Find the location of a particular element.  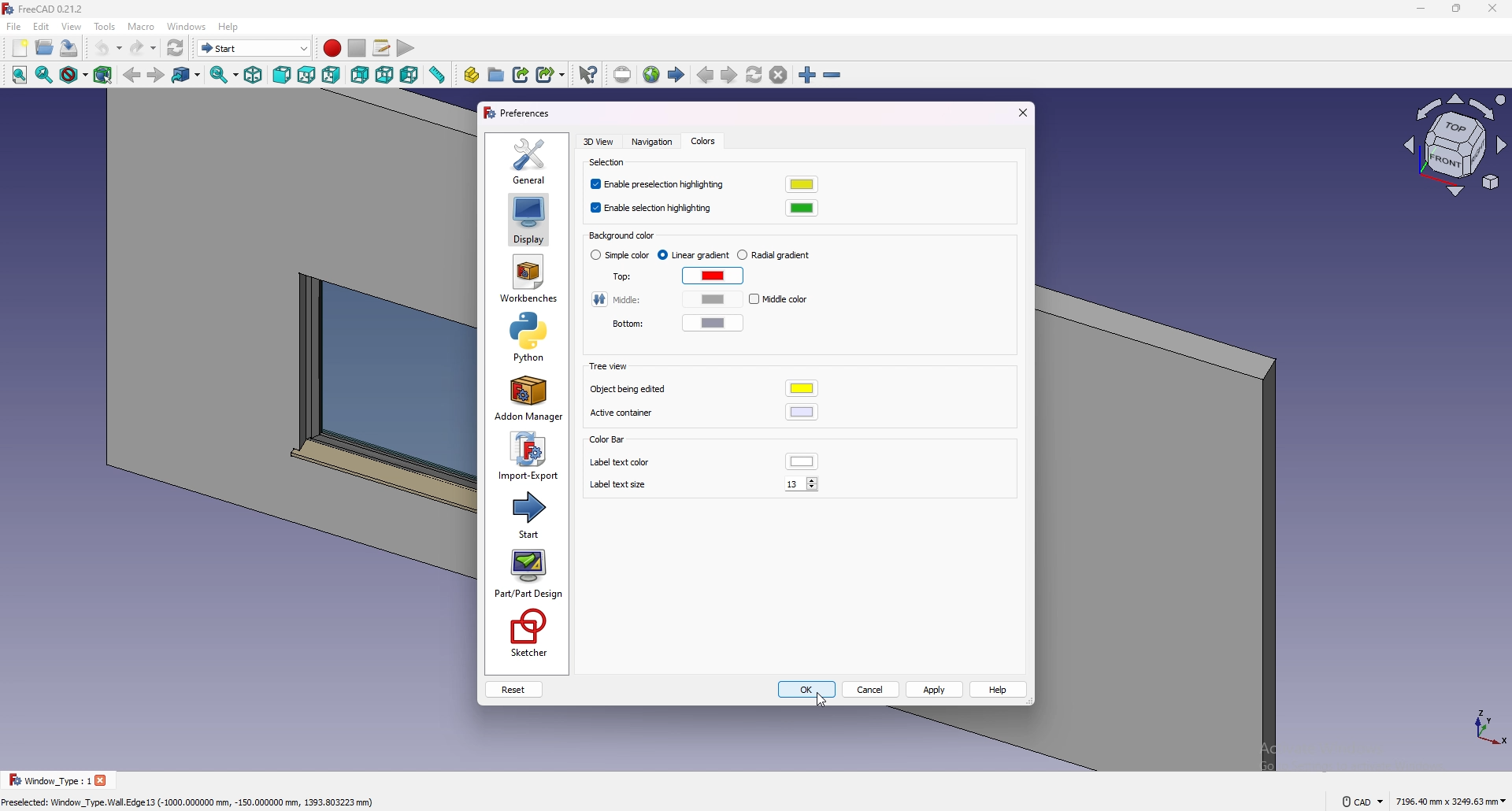

general is located at coordinates (530, 160).